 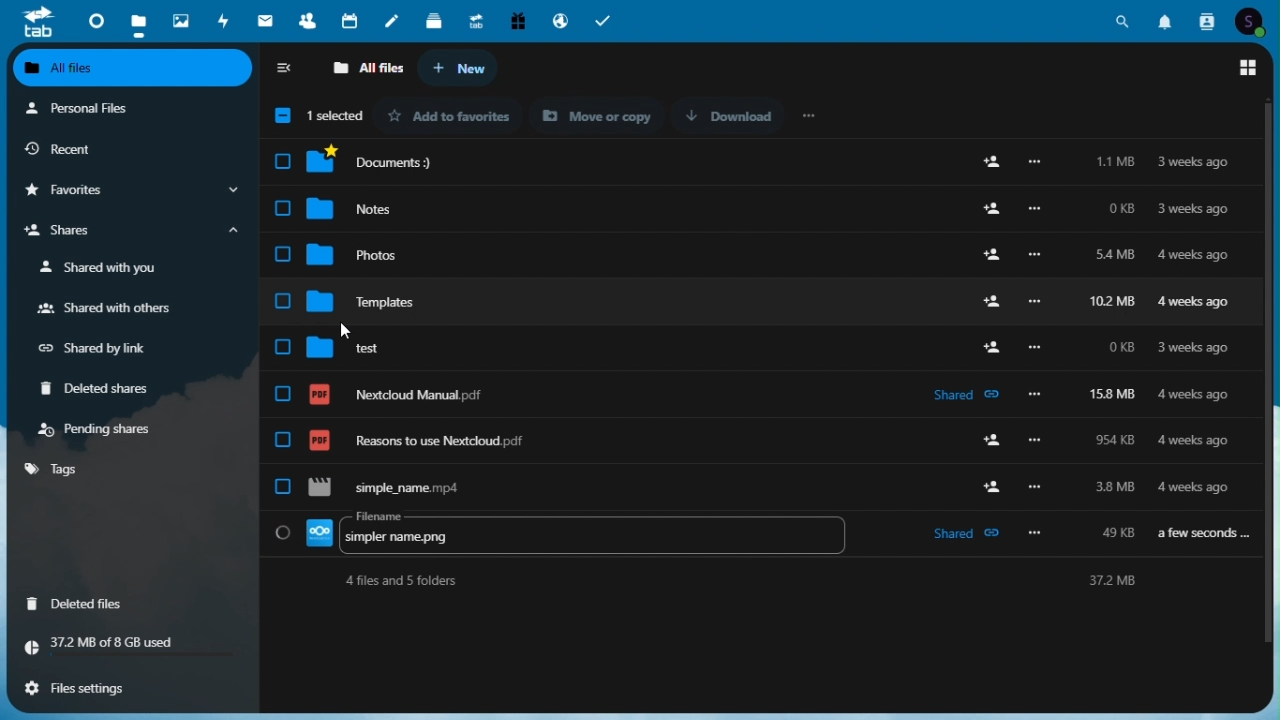 I want to click on tab, so click(x=37, y=22).